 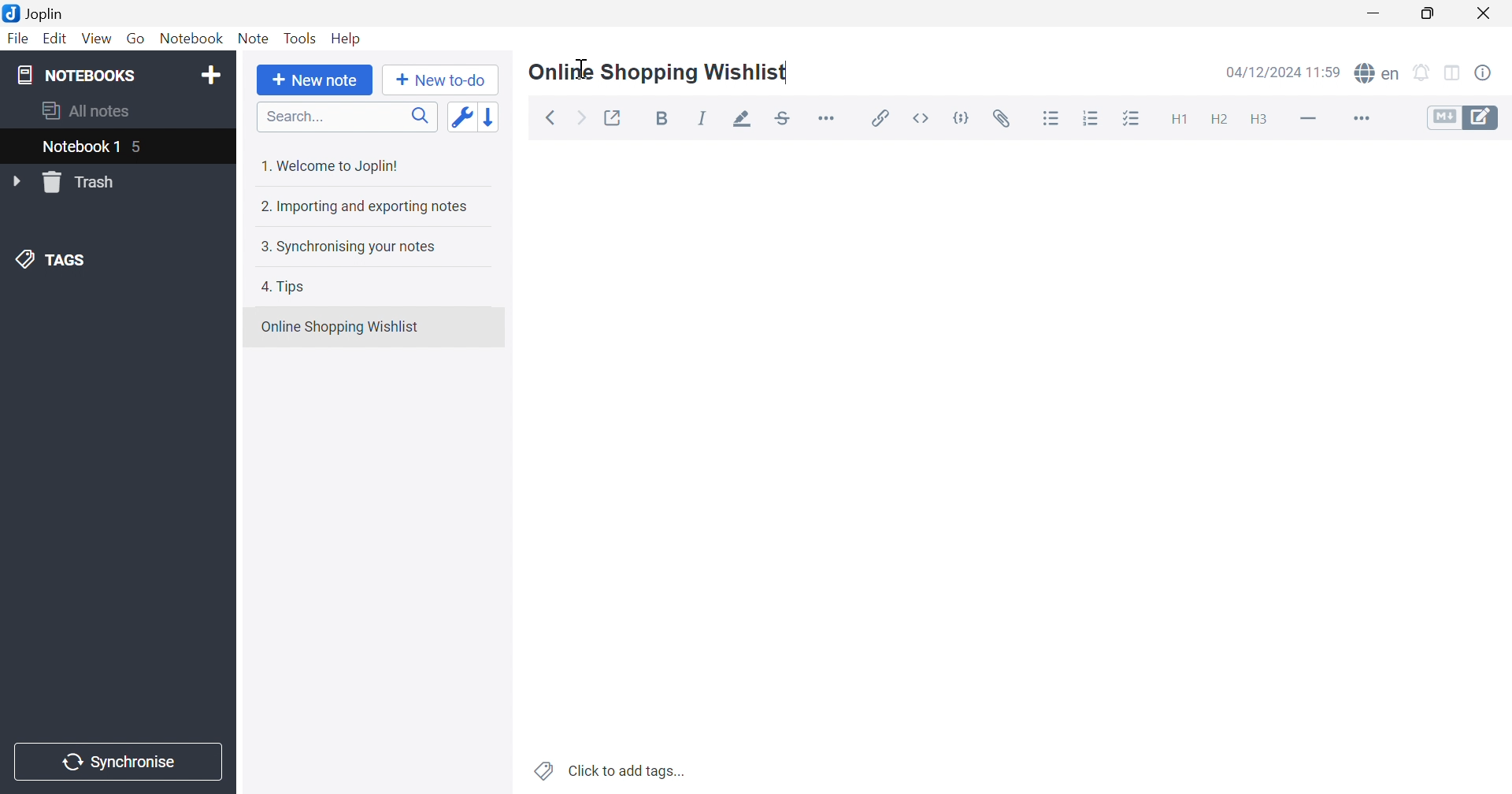 What do you see at coordinates (1454, 74) in the screenshot?
I see `Toggle editor layout` at bounding box center [1454, 74].